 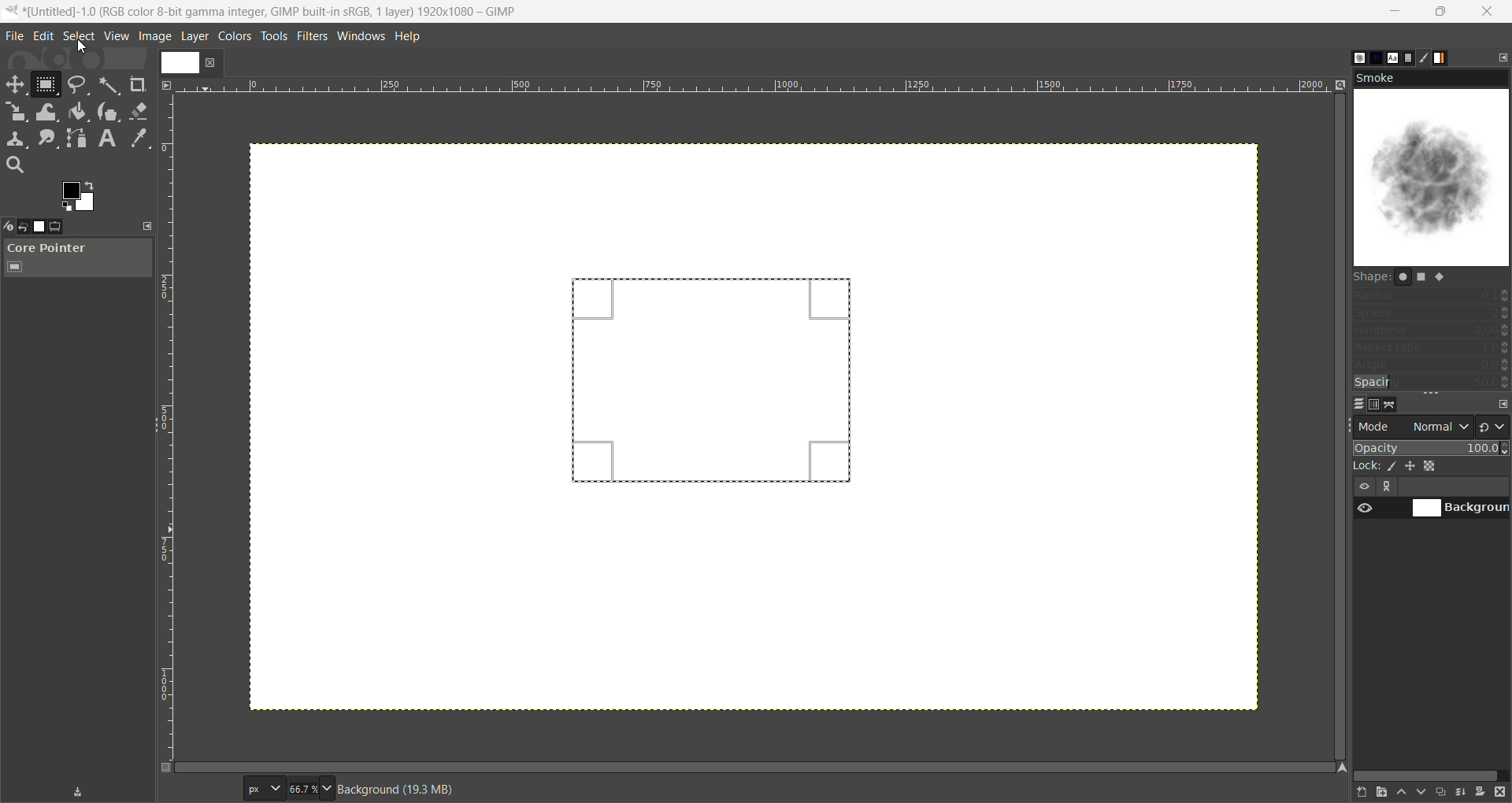 I want to click on eraser, so click(x=139, y=110).